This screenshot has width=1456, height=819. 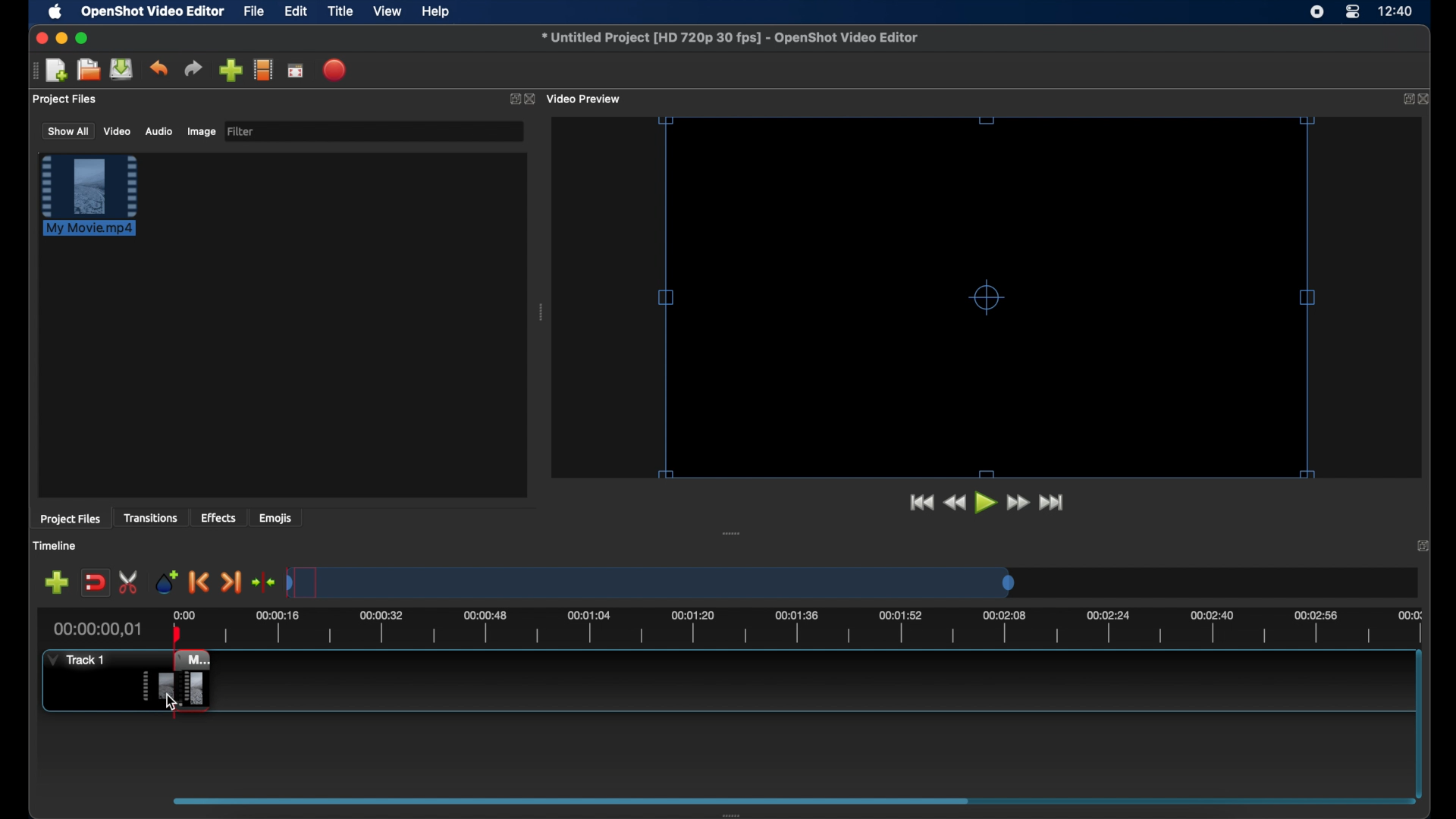 I want to click on 0.00, so click(x=182, y=613).